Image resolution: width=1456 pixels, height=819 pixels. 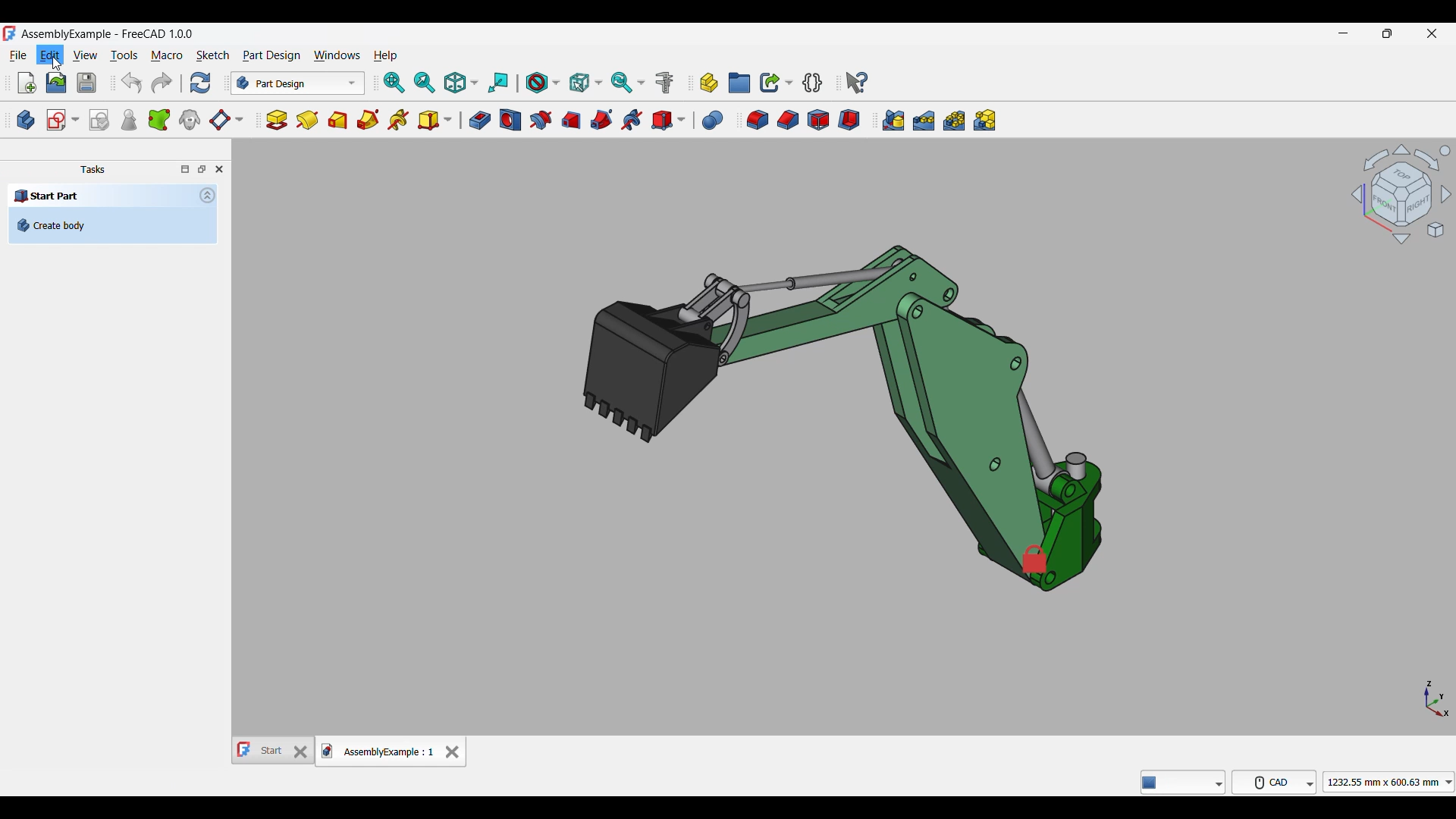 What do you see at coordinates (108, 34) in the screenshot?
I see `AssemblyExample - FreeCAD 1.0.0` at bounding box center [108, 34].